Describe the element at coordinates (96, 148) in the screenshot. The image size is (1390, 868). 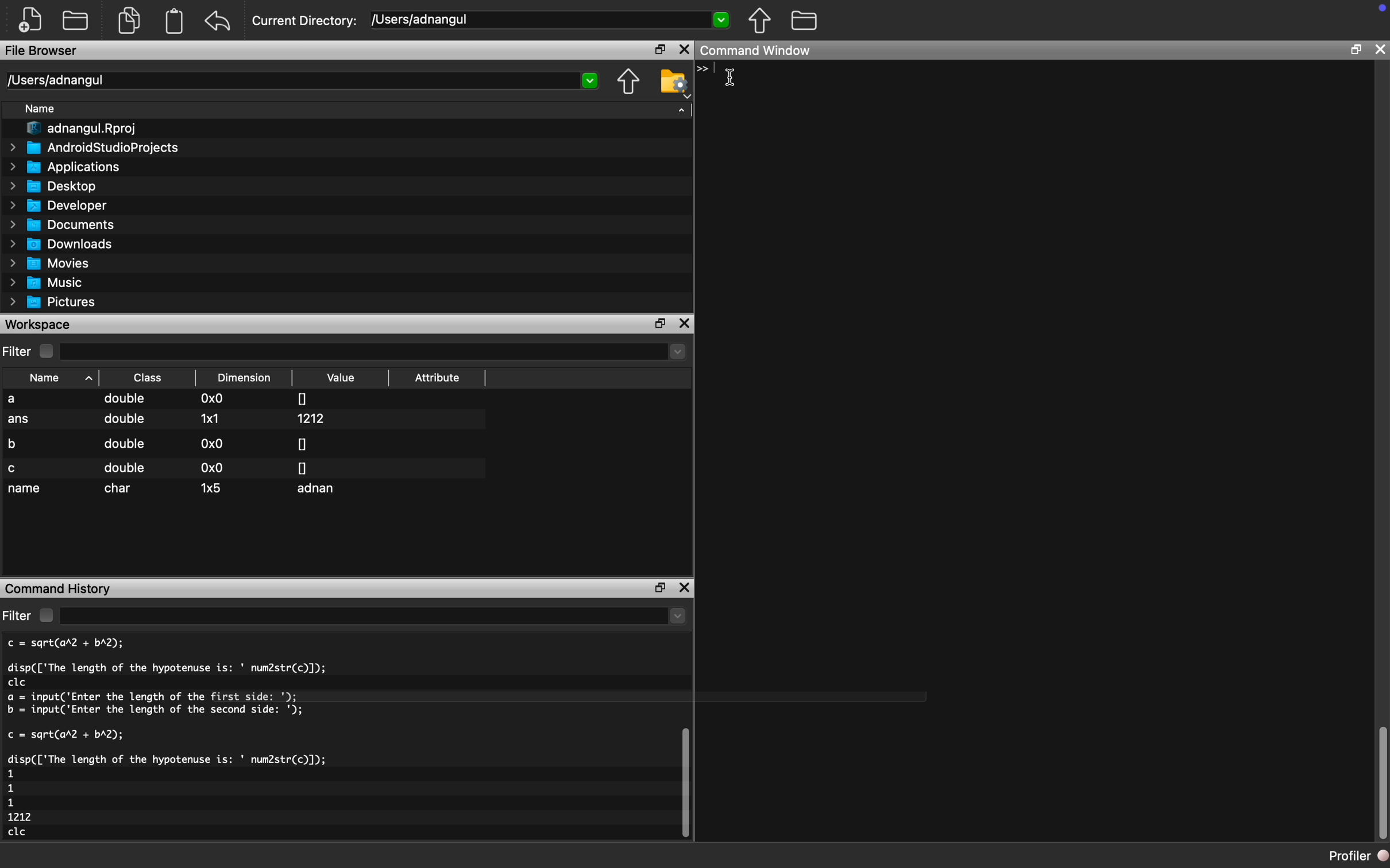
I see `AndroidStudioProjects` at that location.